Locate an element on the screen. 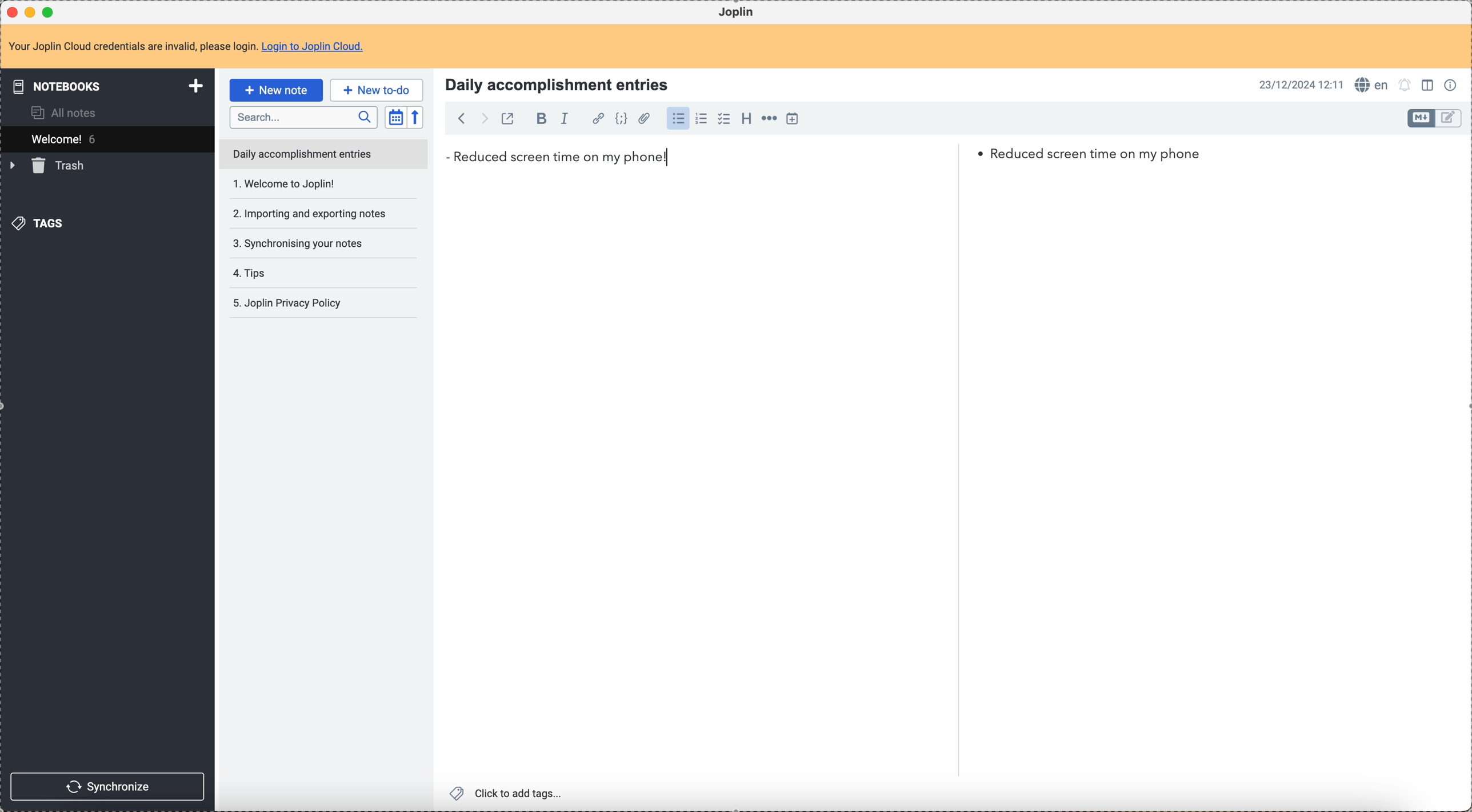  note is located at coordinates (186, 47).